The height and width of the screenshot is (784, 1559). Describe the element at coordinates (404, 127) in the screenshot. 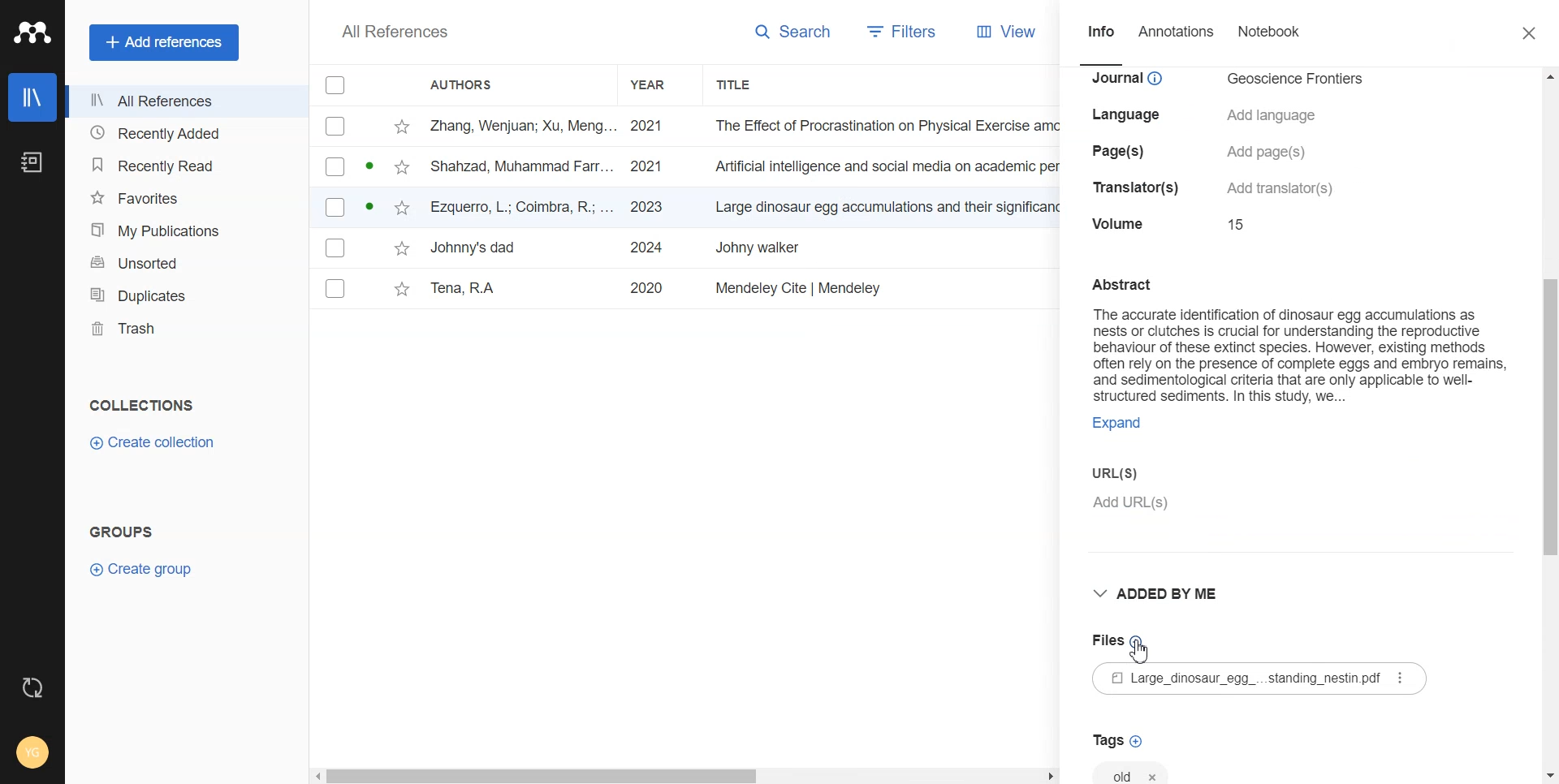

I see `star` at that location.